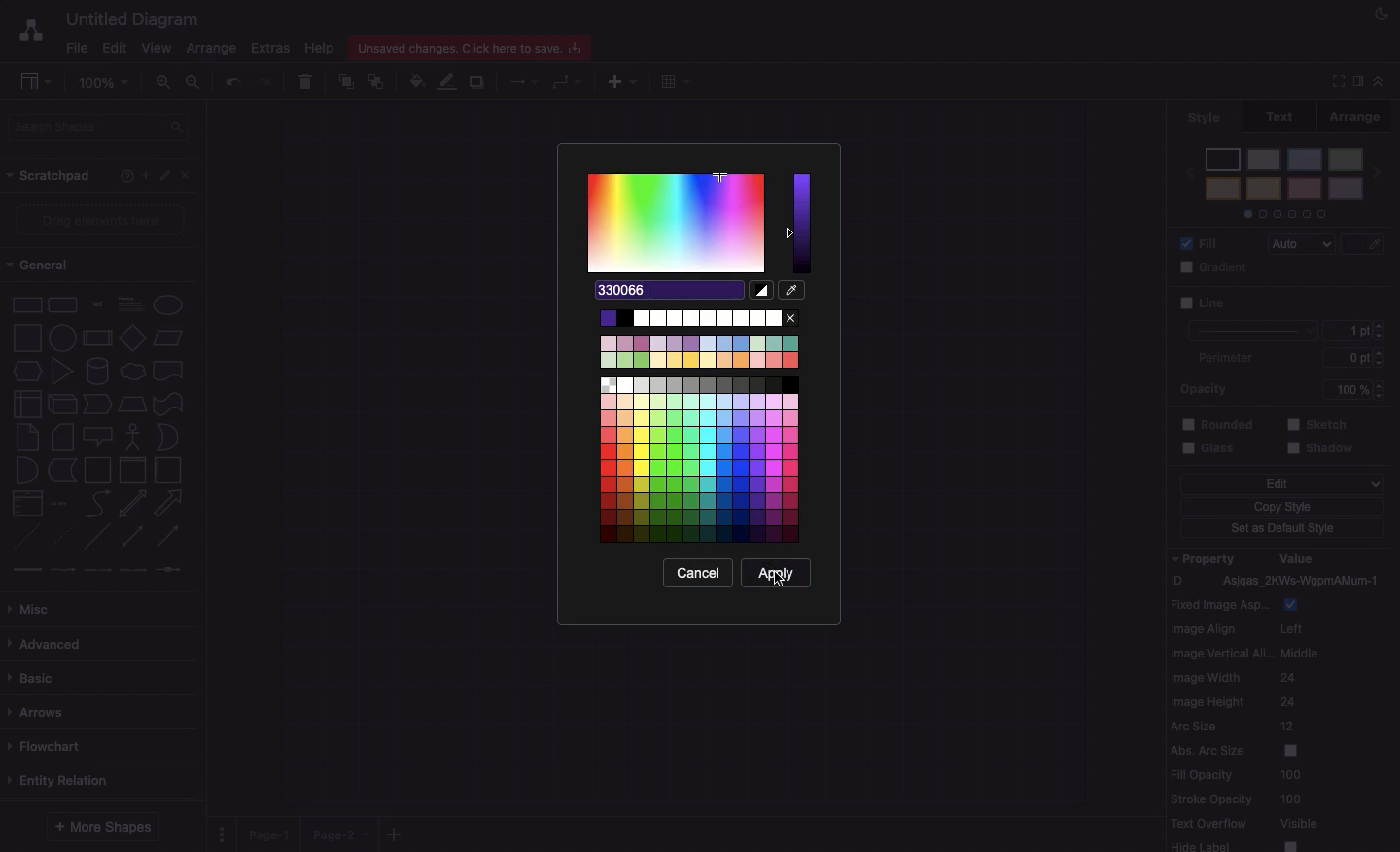  I want to click on Gradient, so click(1217, 267).